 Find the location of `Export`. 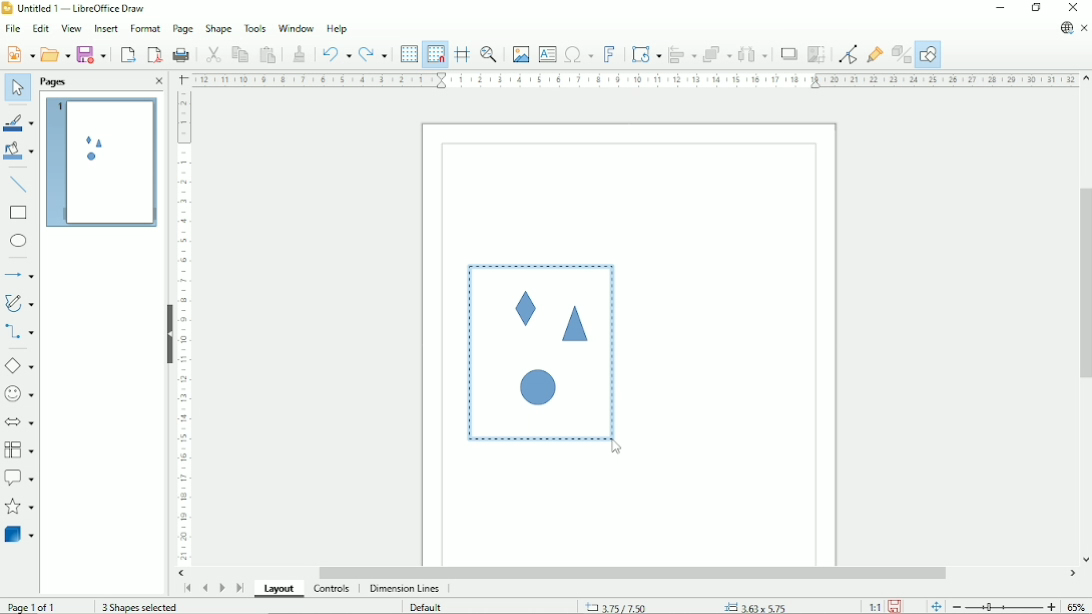

Export is located at coordinates (127, 54).